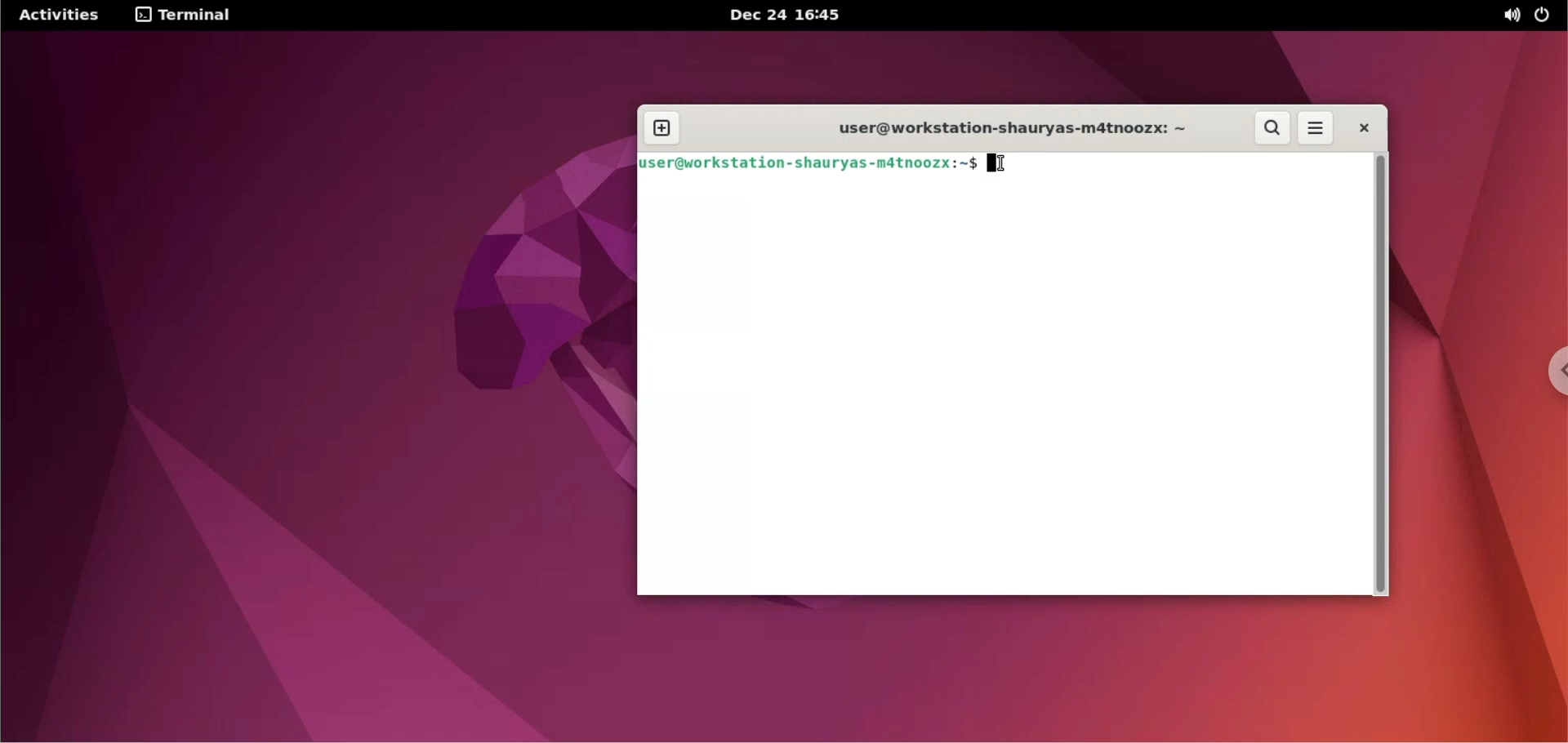 This screenshot has width=1568, height=743. Describe the element at coordinates (788, 16) in the screenshot. I see `Dec 24 16'45` at that location.